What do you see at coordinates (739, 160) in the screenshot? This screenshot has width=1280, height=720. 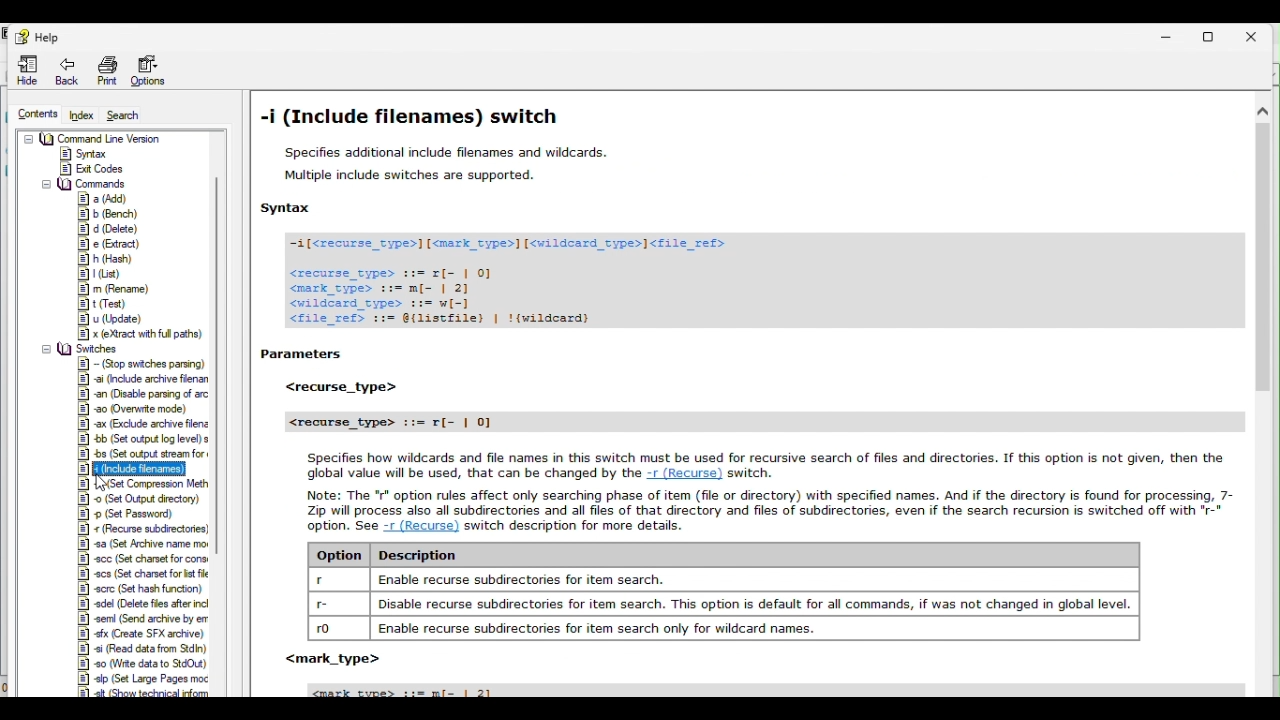 I see `Include file name page` at bounding box center [739, 160].